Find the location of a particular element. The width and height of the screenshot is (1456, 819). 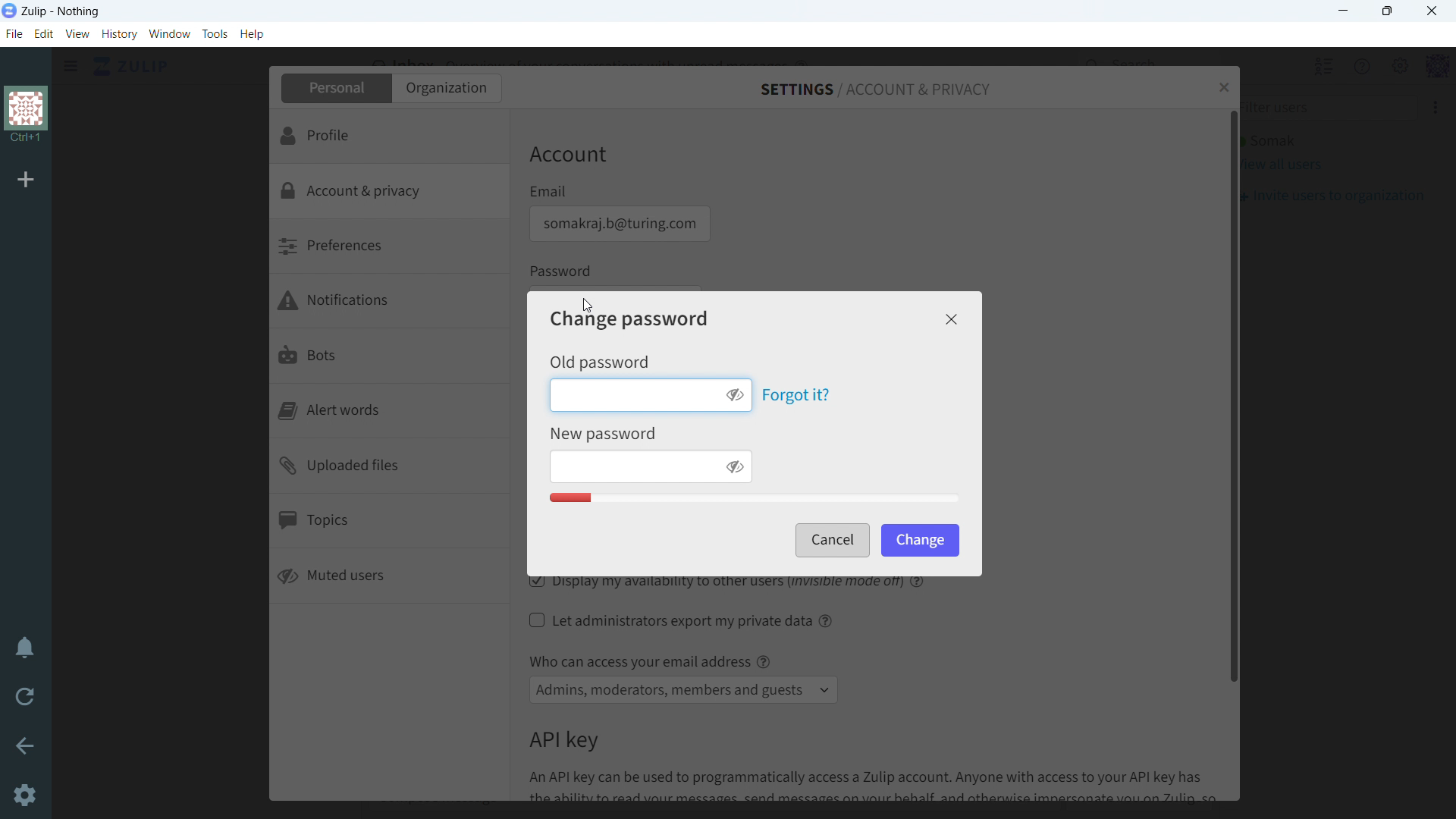

view is located at coordinates (78, 33).